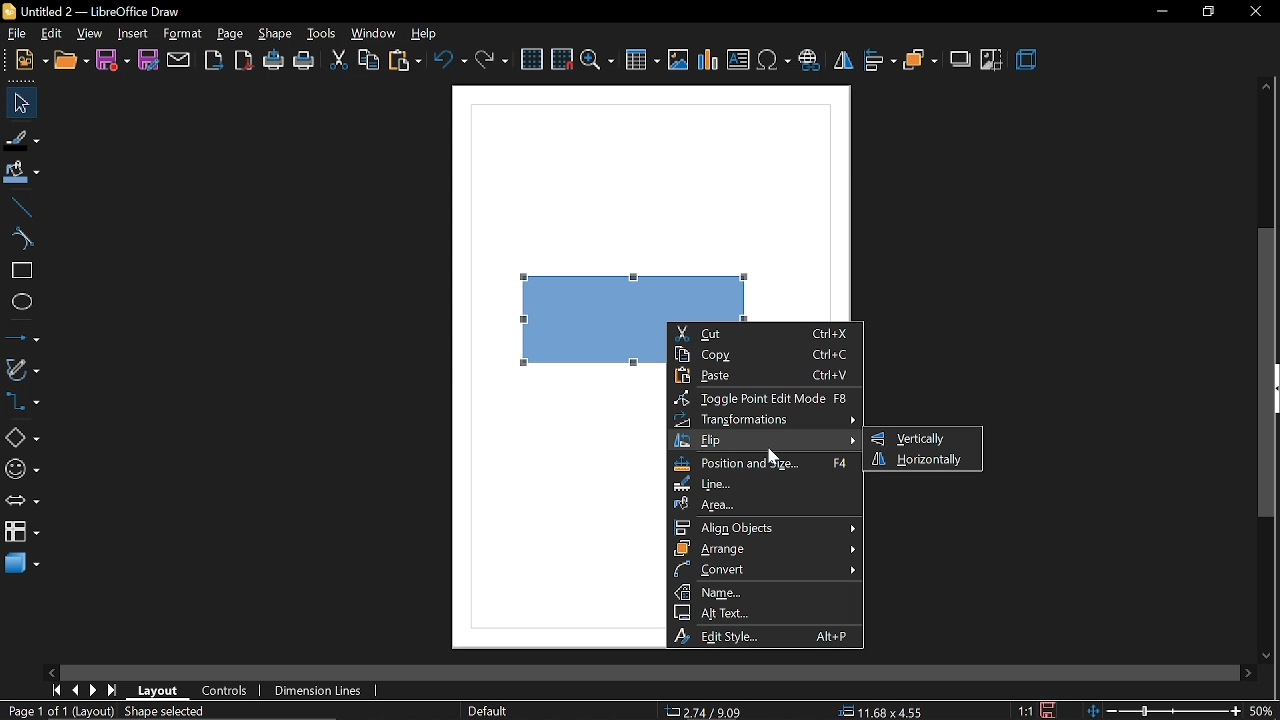  What do you see at coordinates (18, 33) in the screenshot?
I see `file` at bounding box center [18, 33].